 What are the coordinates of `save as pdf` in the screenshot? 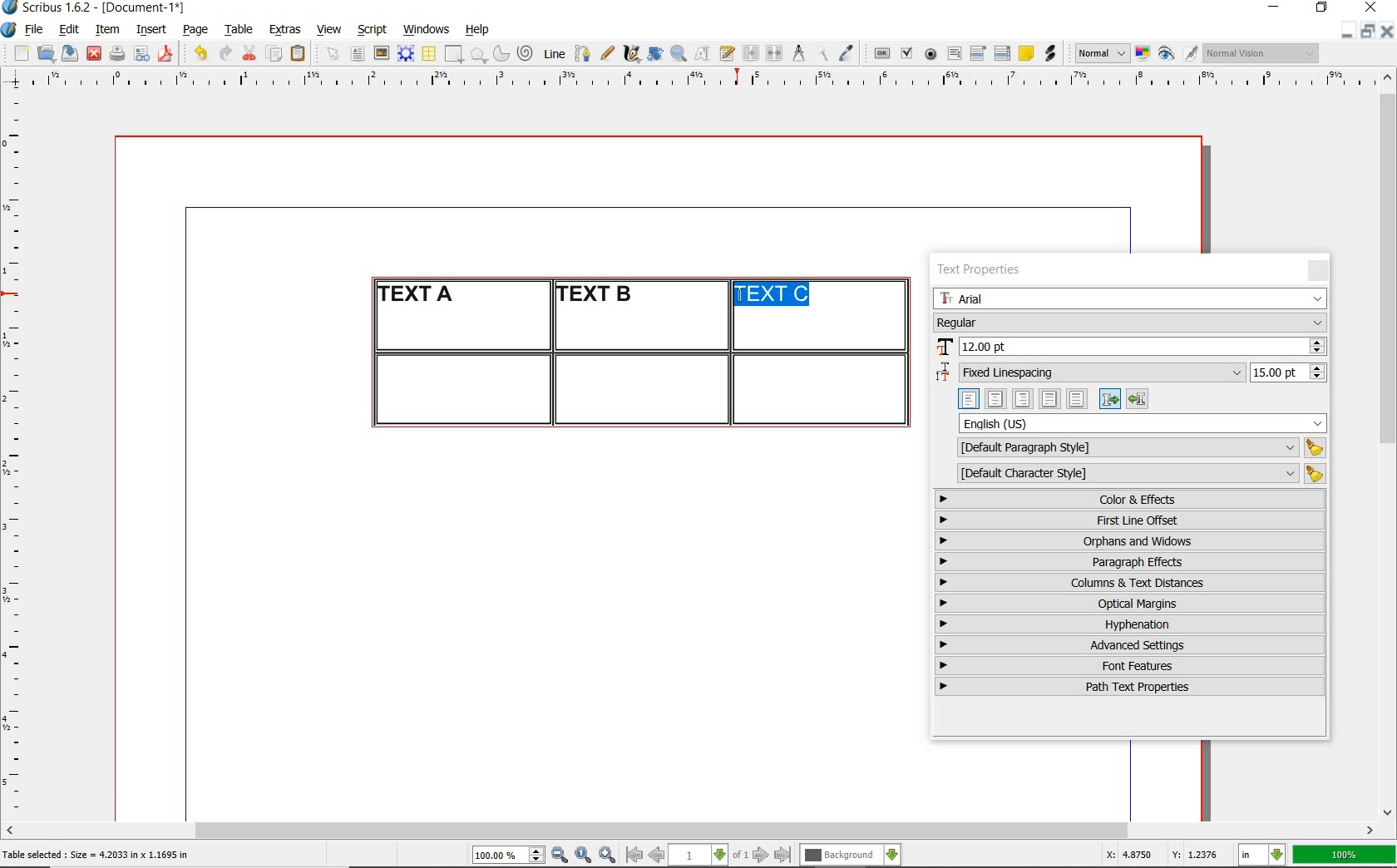 It's located at (168, 53).